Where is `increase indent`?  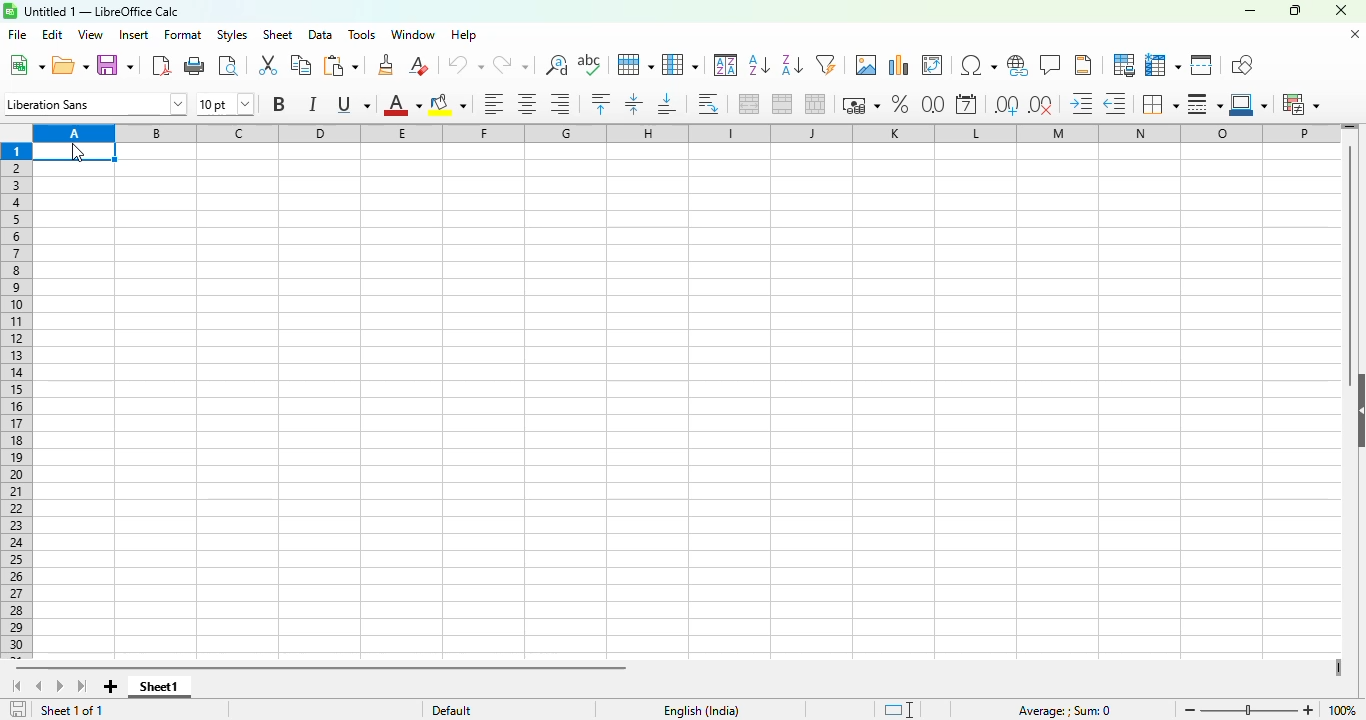 increase indent is located at coordinates (1082, 104).